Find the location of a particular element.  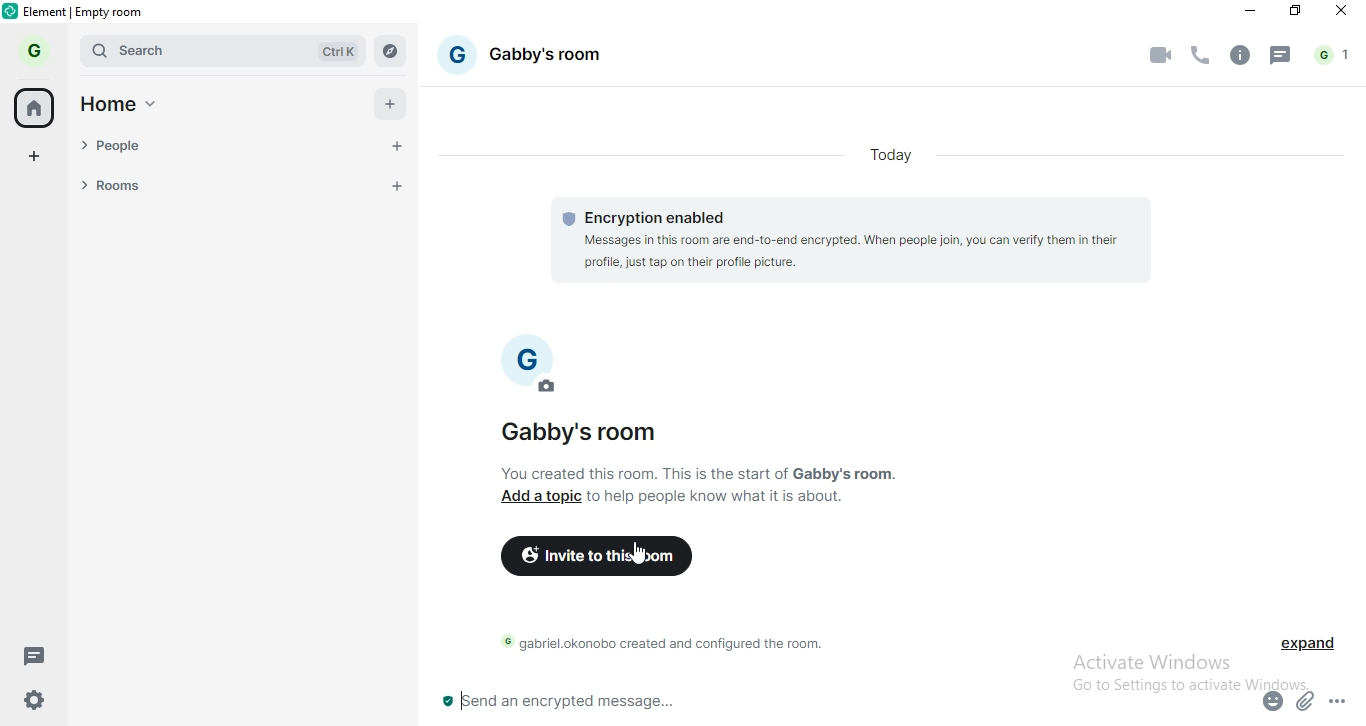

chat box is located at coordinates (839, 701).